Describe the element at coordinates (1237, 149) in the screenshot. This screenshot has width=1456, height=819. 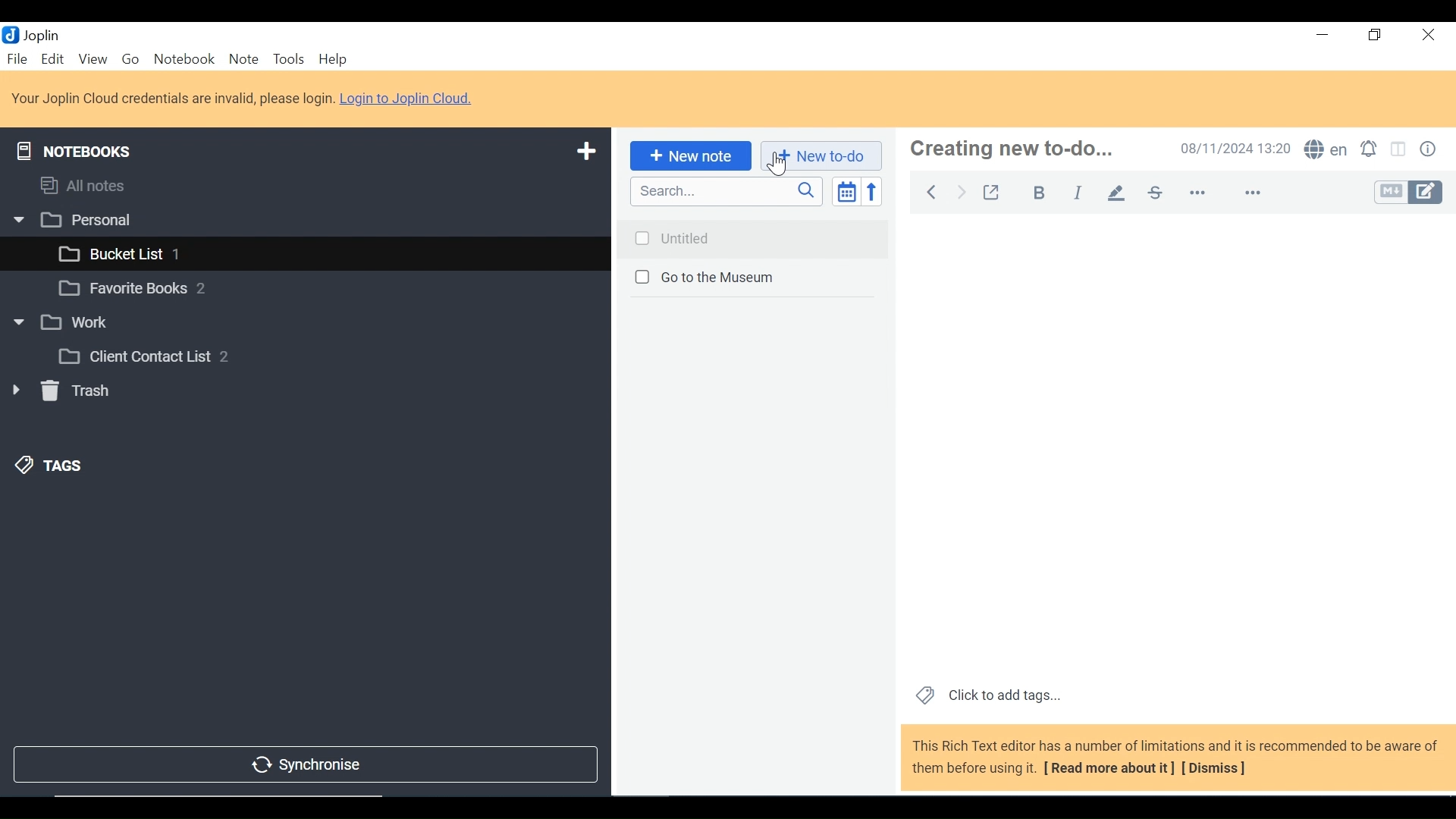
I see `Date and Time` at that location.